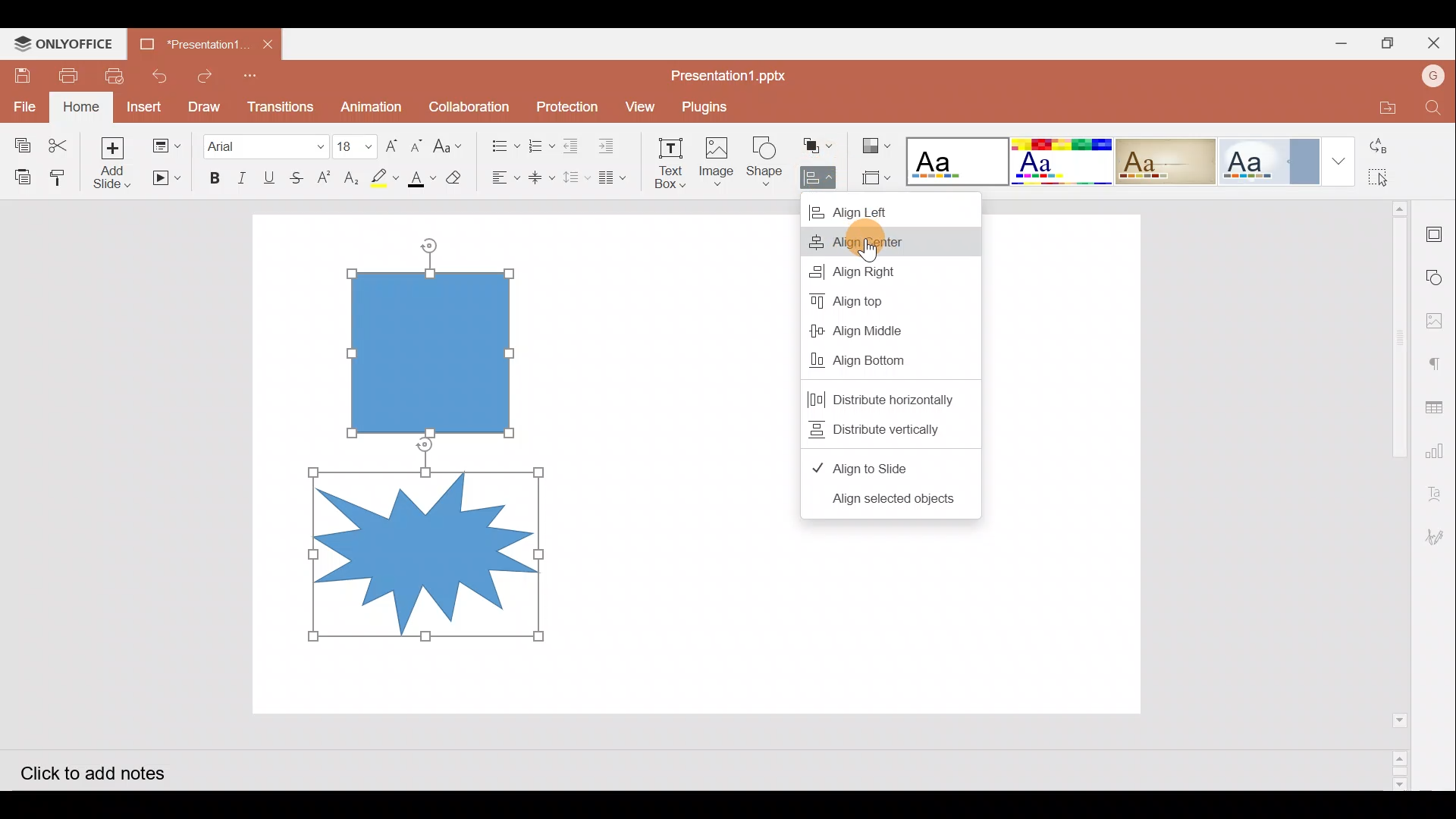  Describe the element at coordinates (452, 145) in the screenshot. I see `Change case` at that location.